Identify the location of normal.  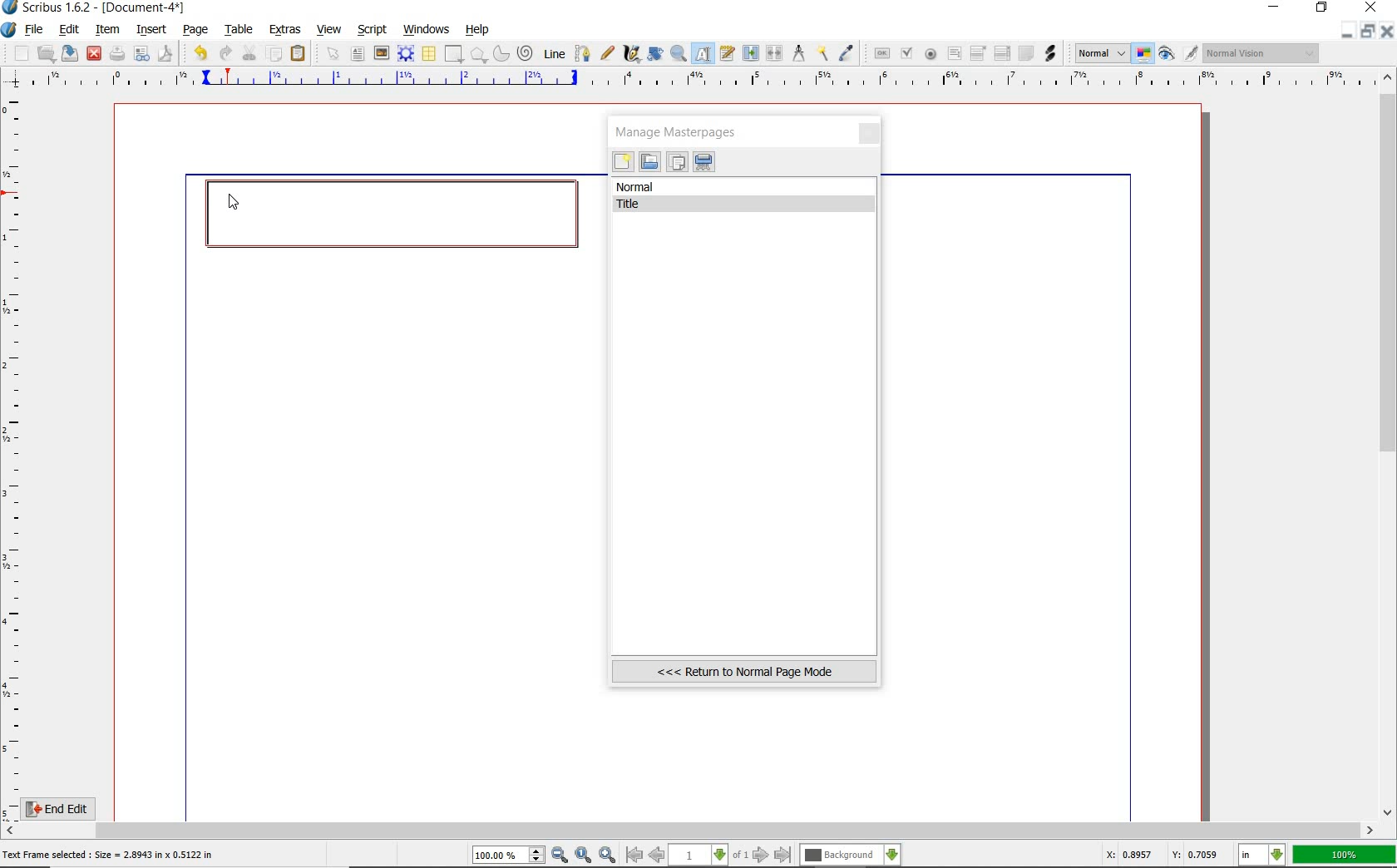
(745, 187).